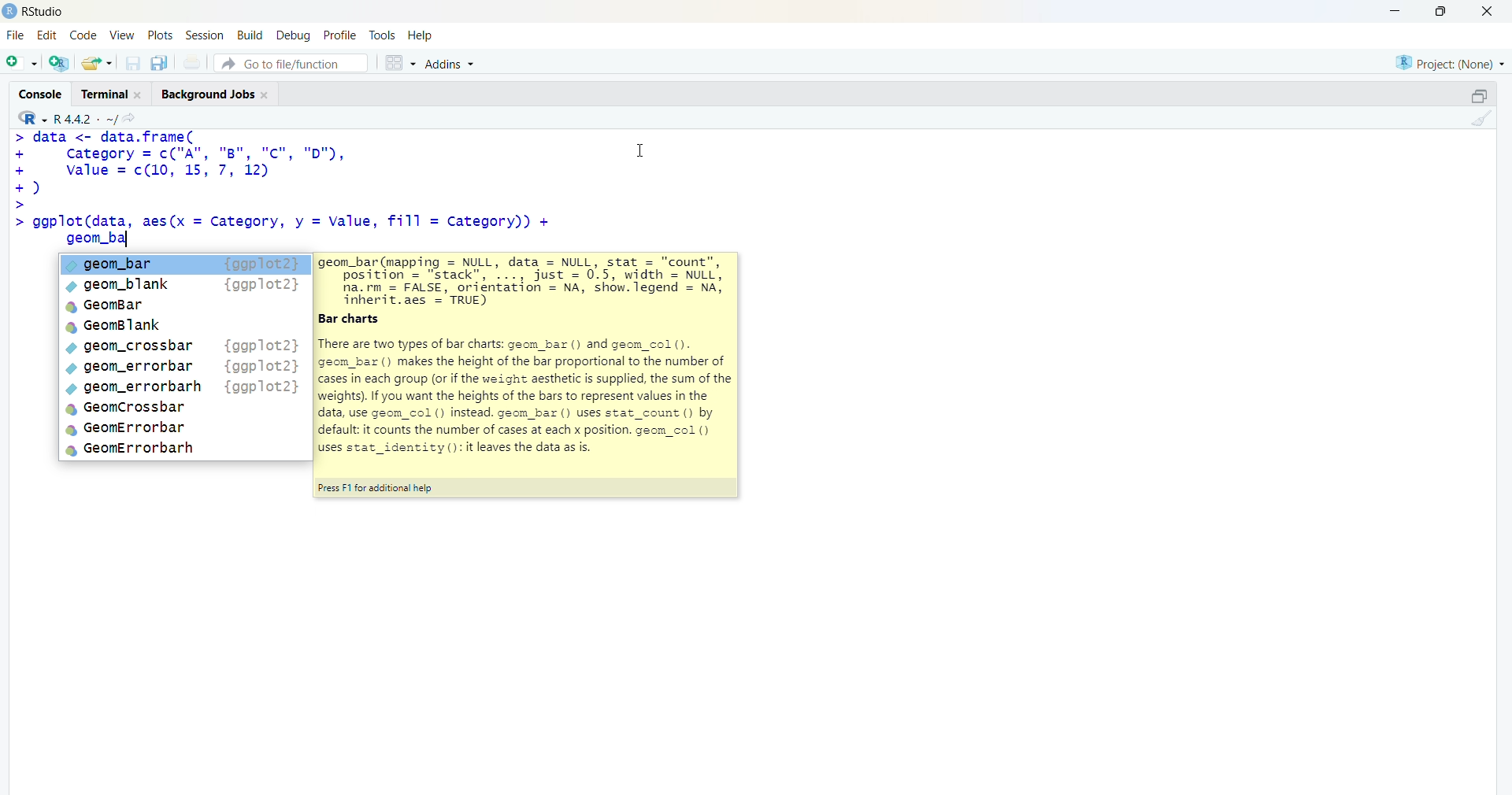  What do you see at coordinates (44, 92) in the screenshot?
I see `Console` at bounding box center [44, 92].